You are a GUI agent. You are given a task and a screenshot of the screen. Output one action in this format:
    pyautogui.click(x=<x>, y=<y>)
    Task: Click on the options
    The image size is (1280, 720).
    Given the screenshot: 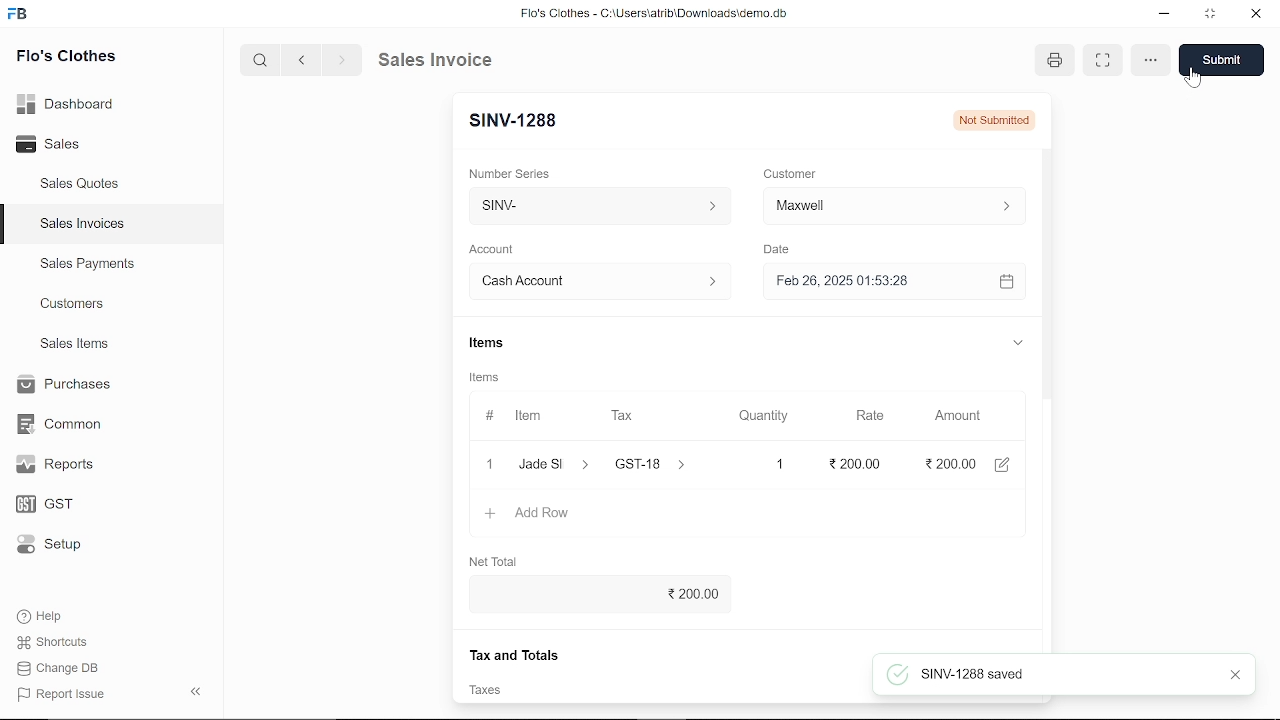 What is the action you would take?
    pyautogui.click(x=1150, y=61)
    